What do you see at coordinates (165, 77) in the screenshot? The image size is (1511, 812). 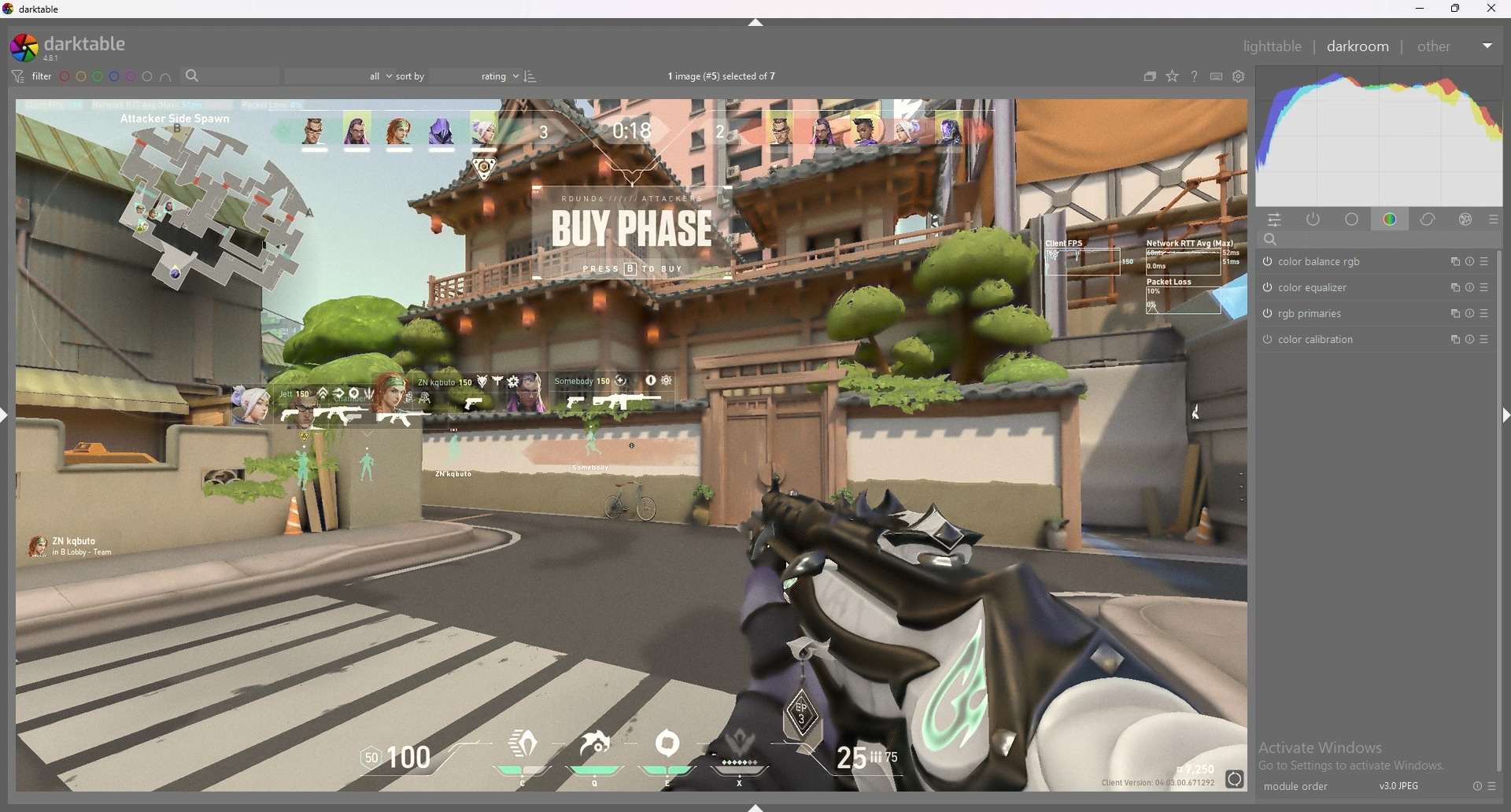 I see `include color label` at bounding box center [165, 77].